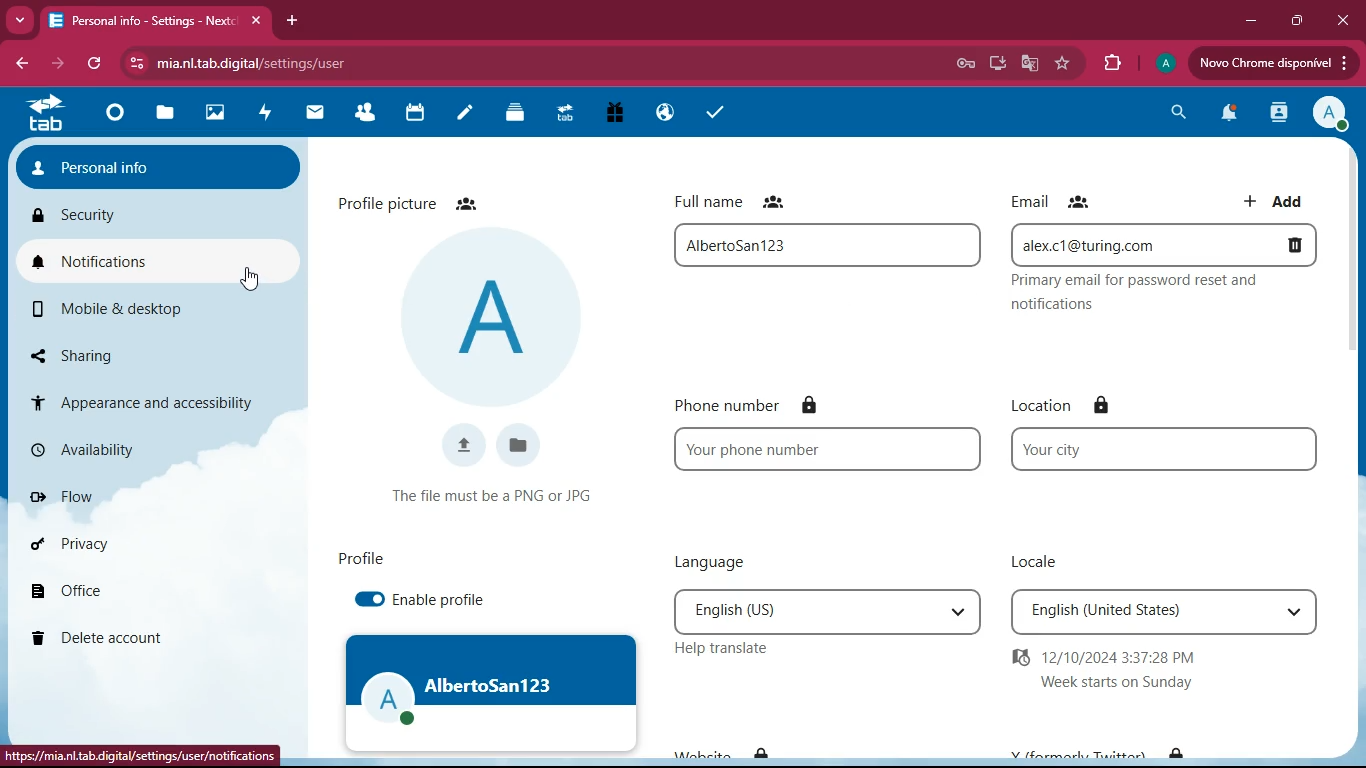 This screenshot has height=768, width=1366. What do you see at coordinates (662, 114) in the screenshot?
I see `public` at bounding box center [662, 114].